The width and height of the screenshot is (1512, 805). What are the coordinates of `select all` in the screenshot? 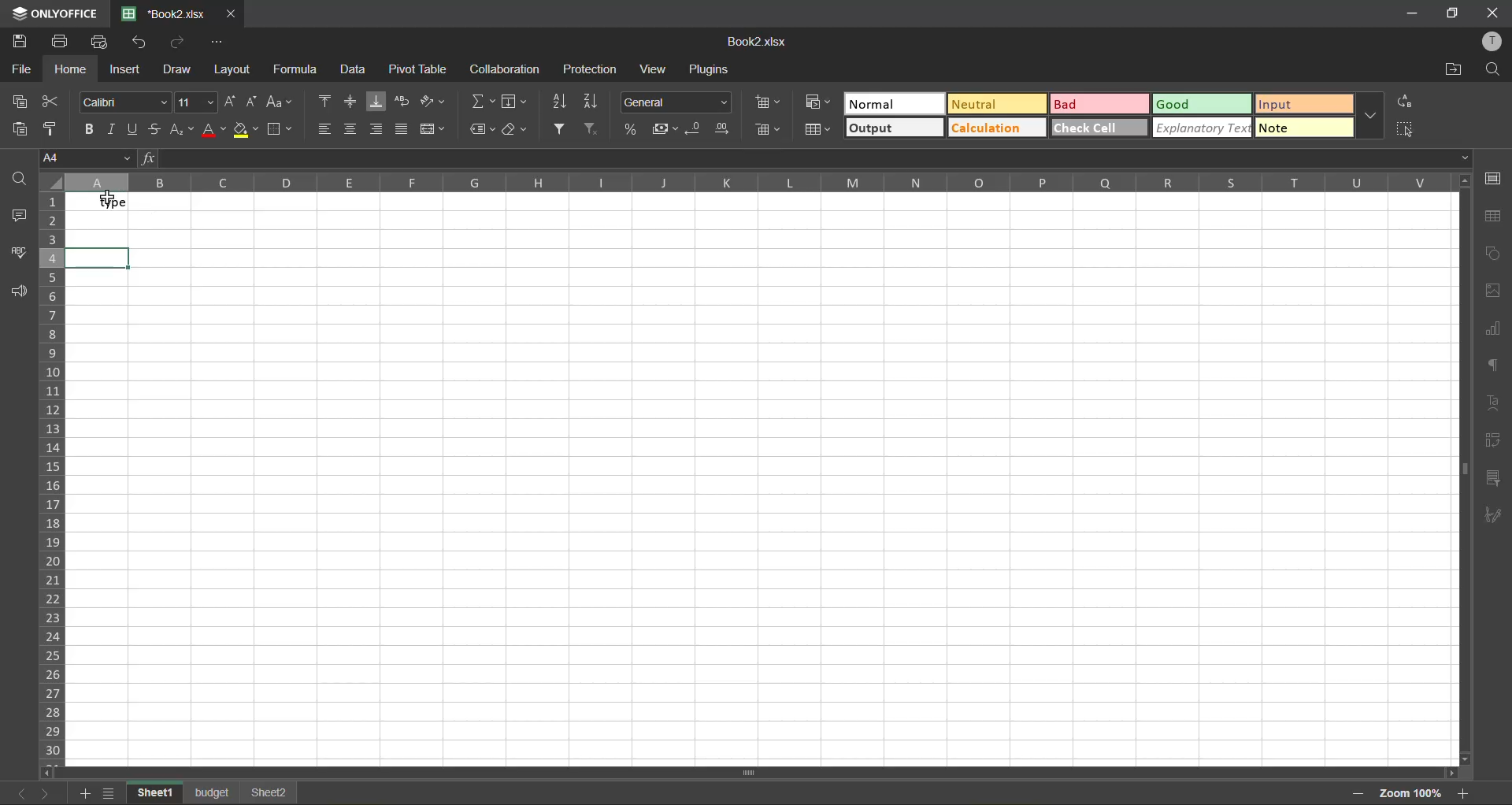 It's located at (1411, 129).